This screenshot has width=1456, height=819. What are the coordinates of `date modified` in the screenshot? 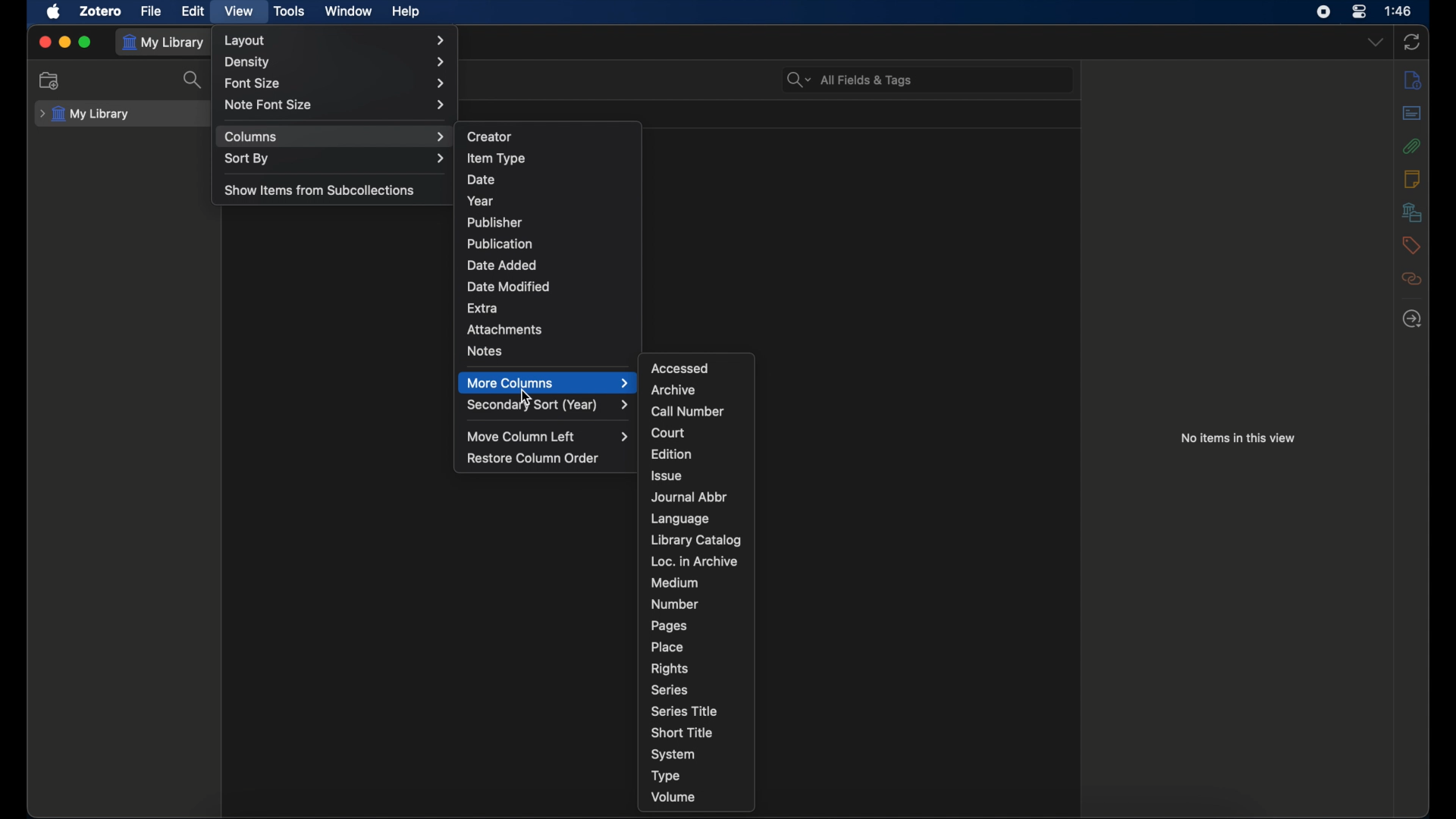 It's located at (508, 287).